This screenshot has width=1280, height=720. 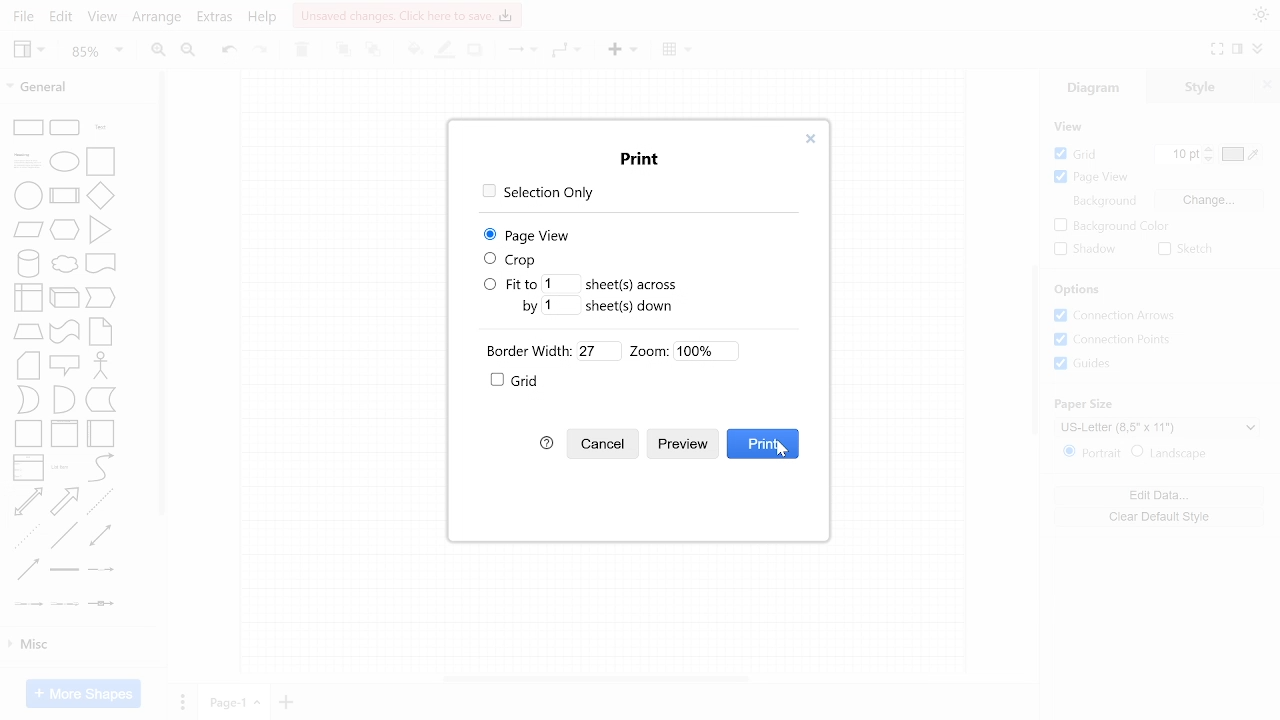 What do you see at coordinates (189, 49) in the screenshot?
I see `Zoom out` at bounding box center [189, 49].